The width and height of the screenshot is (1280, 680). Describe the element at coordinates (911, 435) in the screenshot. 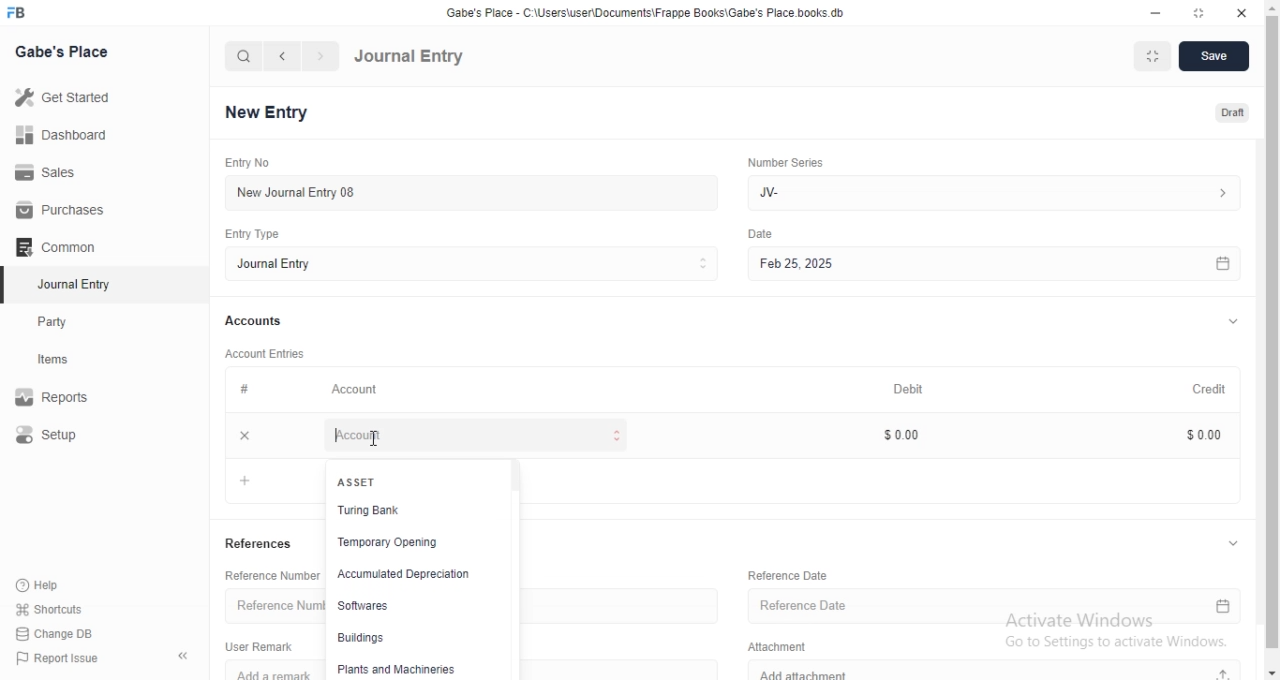

I see `$0.00` at that location.